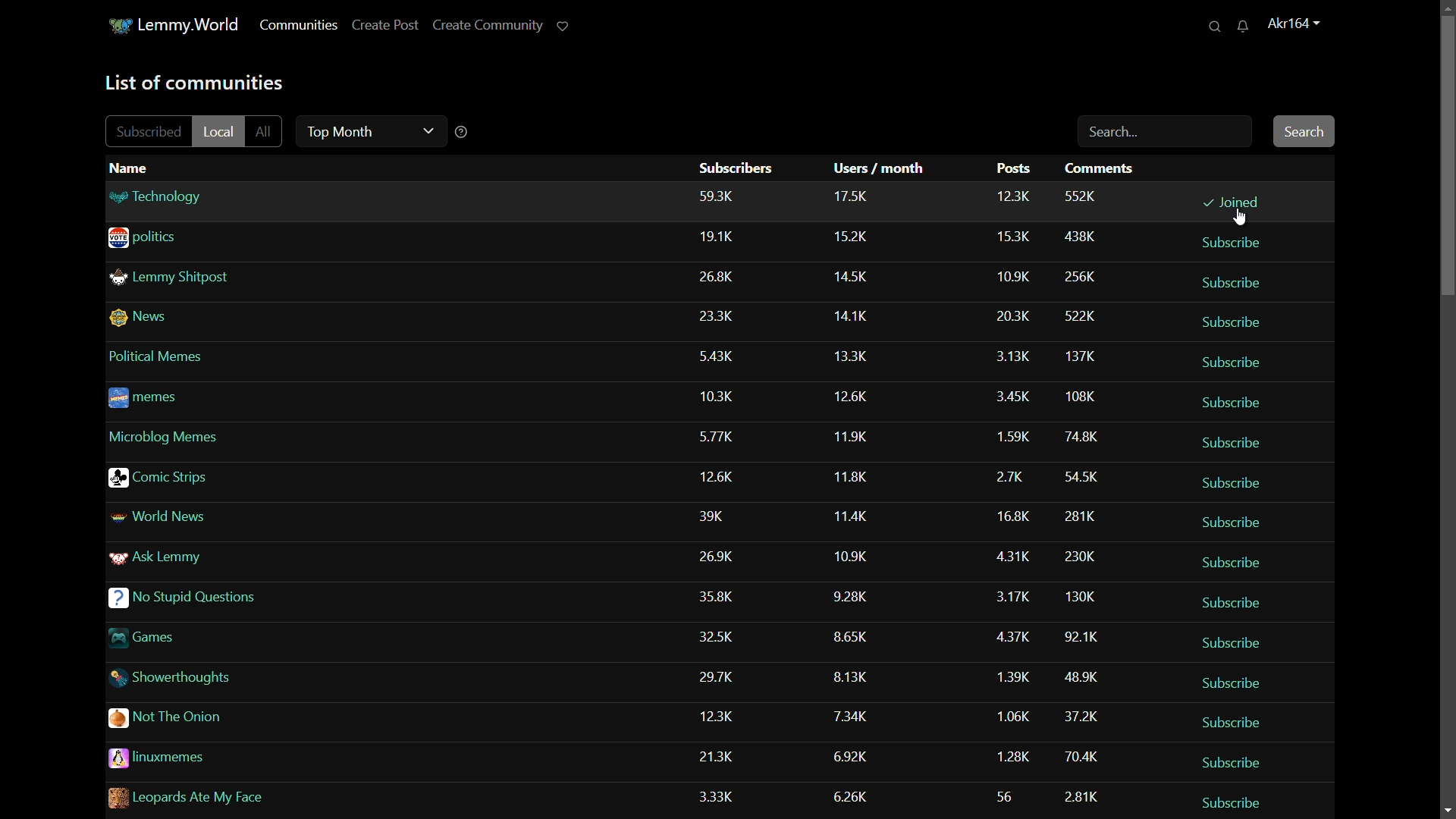  What do you see at coordinates (245, 318) in the screenshot?
I see `communities name` at bounding box center [245, 318].